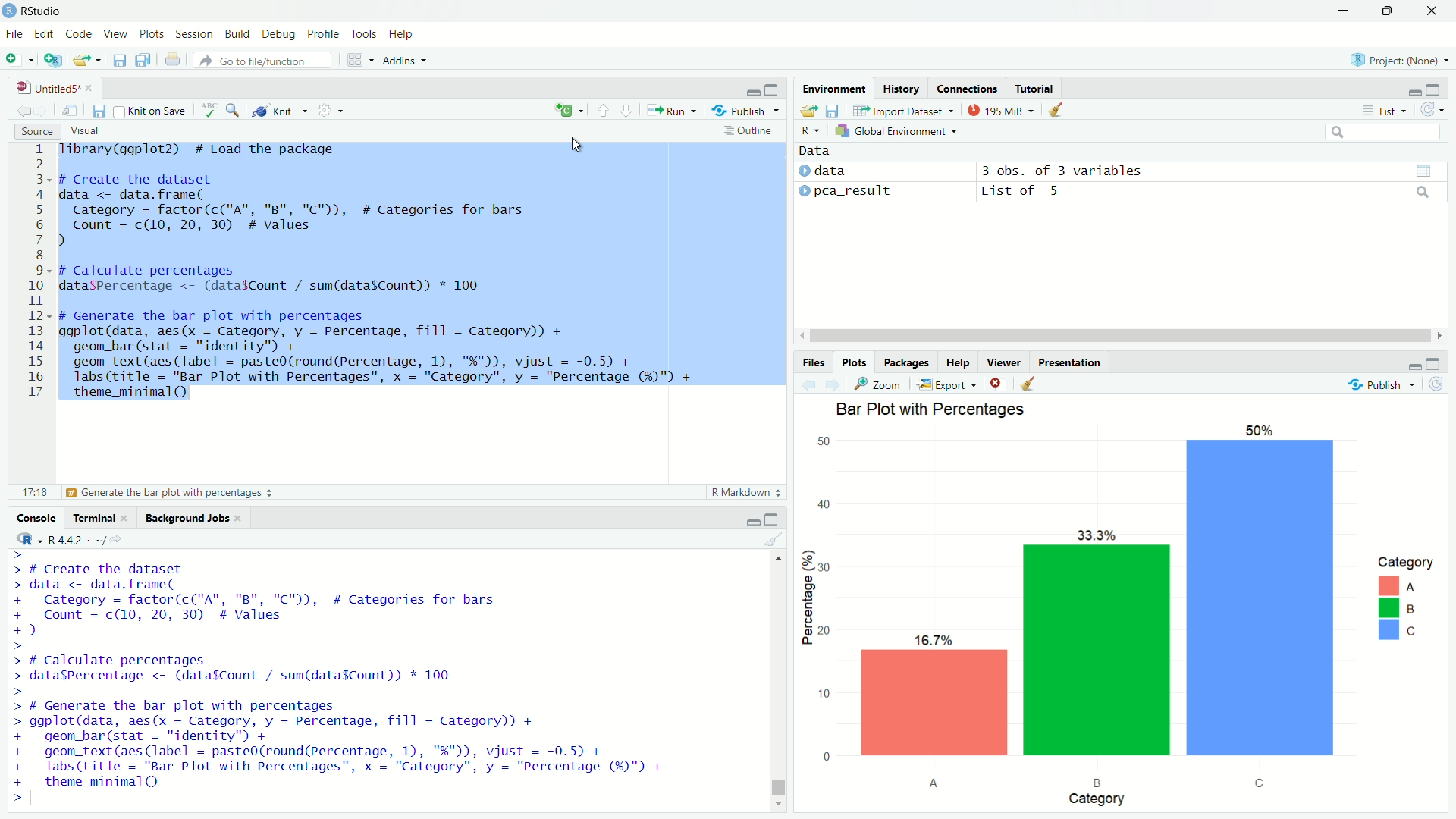 This screenshot has height=819, width=1456. What do you see at coordinates (1384, 384) in the screenshot?
I see `publish` at bounding box center [1384, 384].